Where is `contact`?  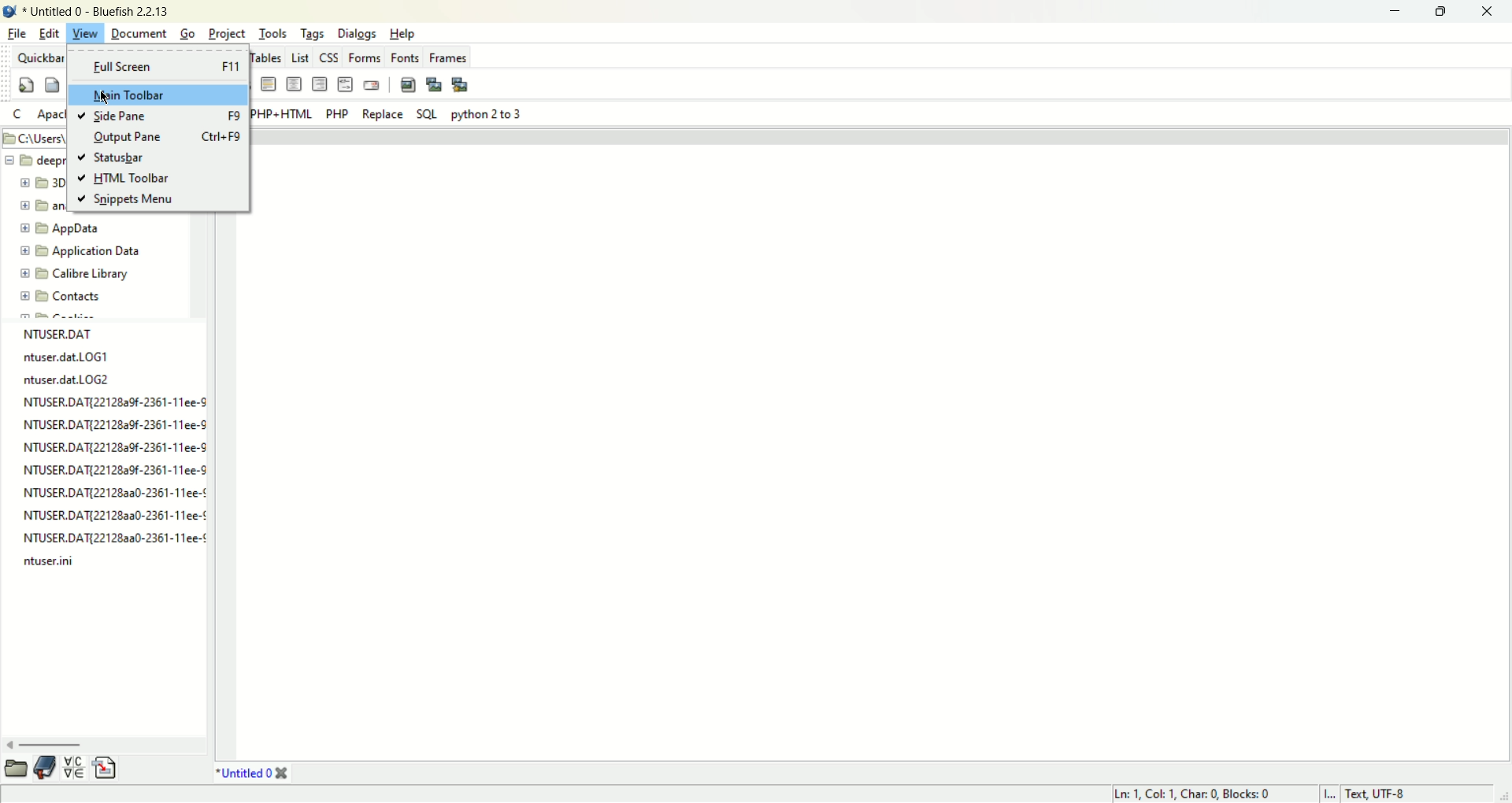 contact is located at coordinates (62, 298).